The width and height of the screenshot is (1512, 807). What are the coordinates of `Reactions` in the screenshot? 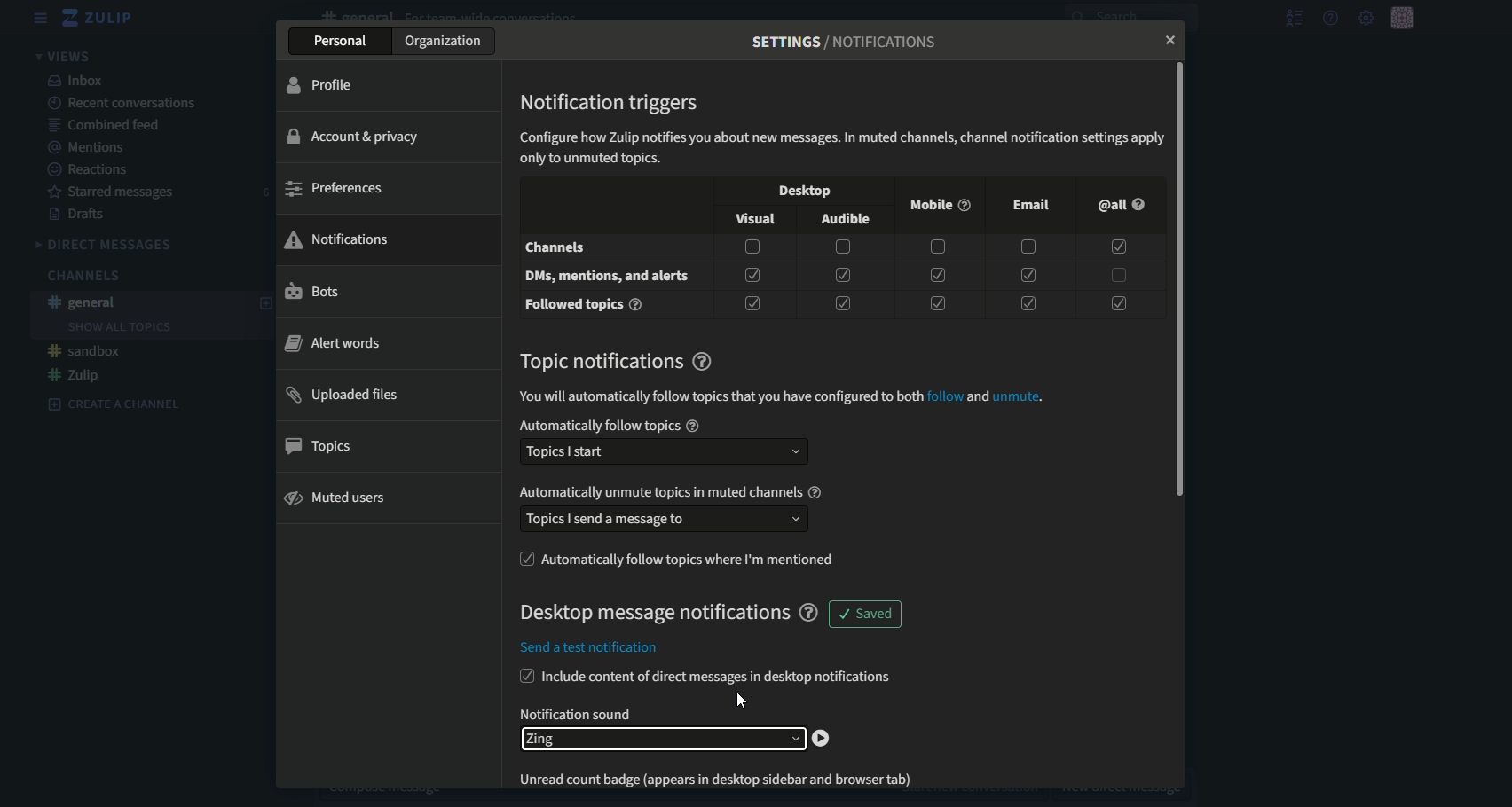 It's located at (90, 170).